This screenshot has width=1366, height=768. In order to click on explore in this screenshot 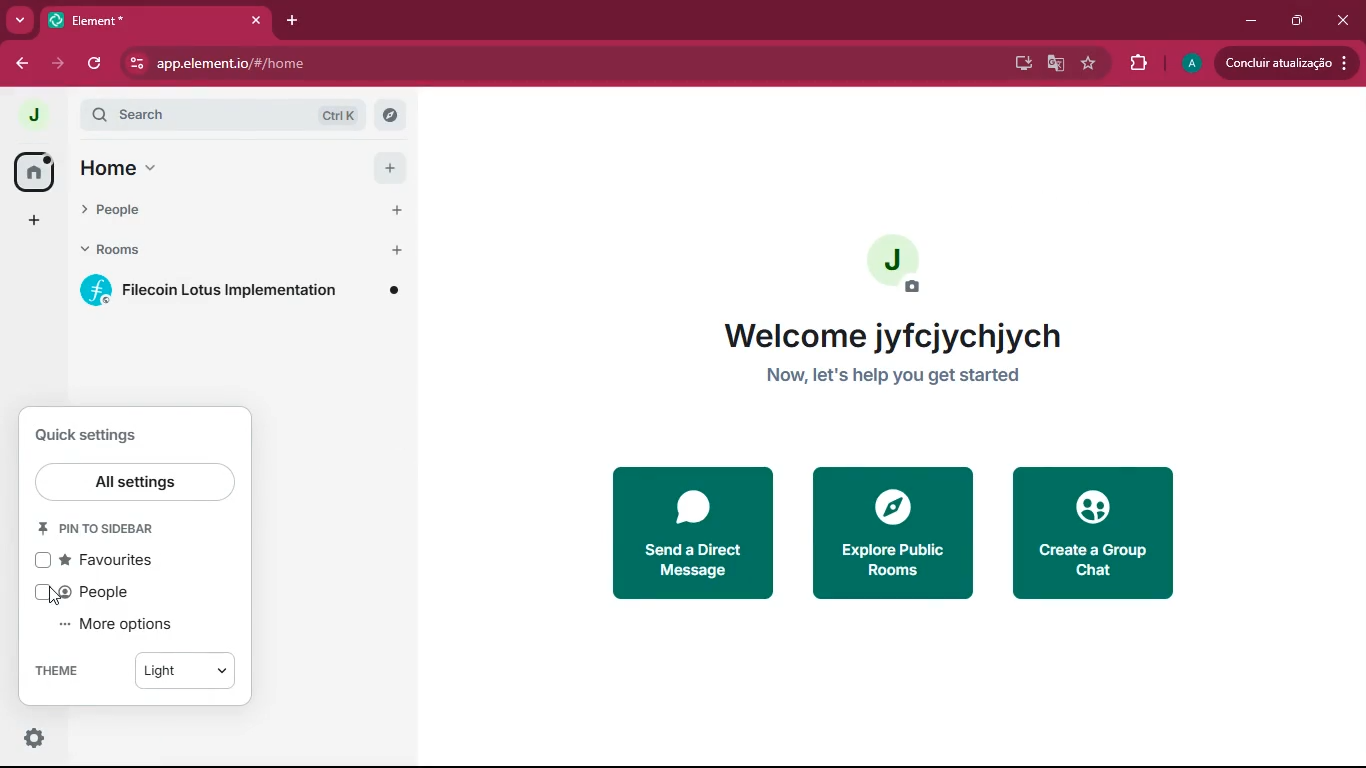, I will do `click(890, 533)`.